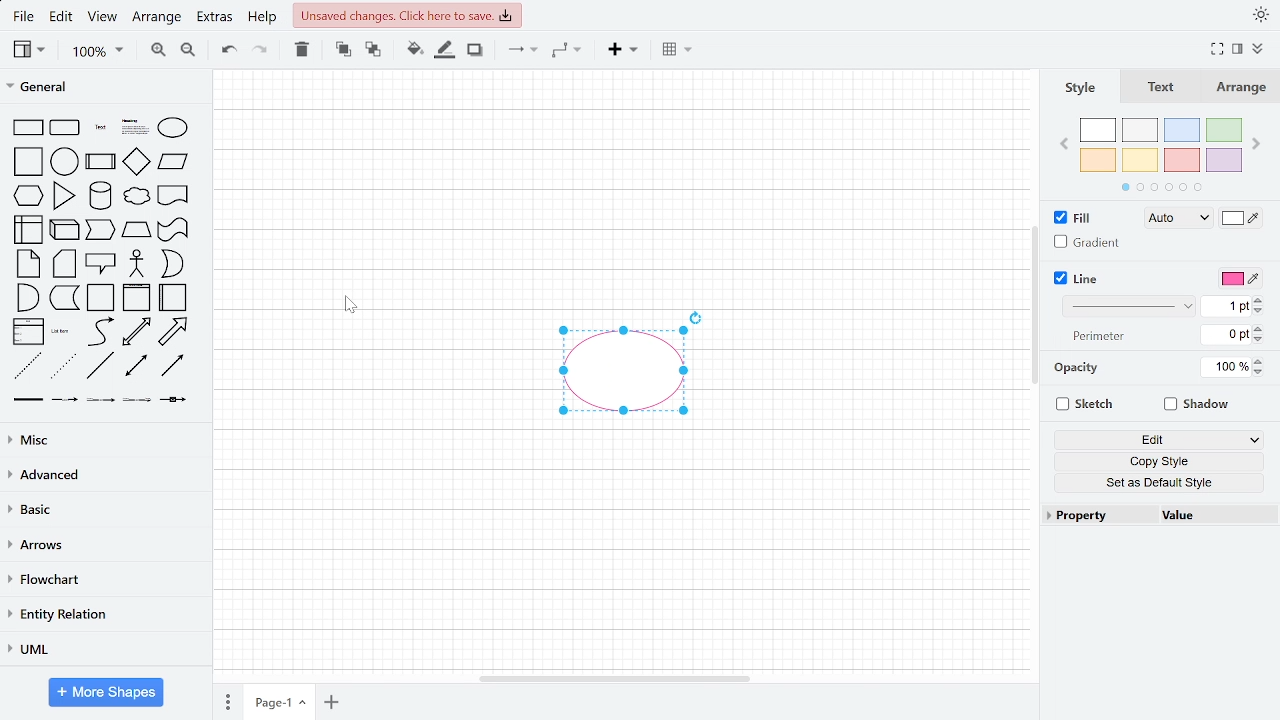  What do you see at coordinates (222, 701) in the screenshot?
I see `Pages` at bounding box center [222, 701].